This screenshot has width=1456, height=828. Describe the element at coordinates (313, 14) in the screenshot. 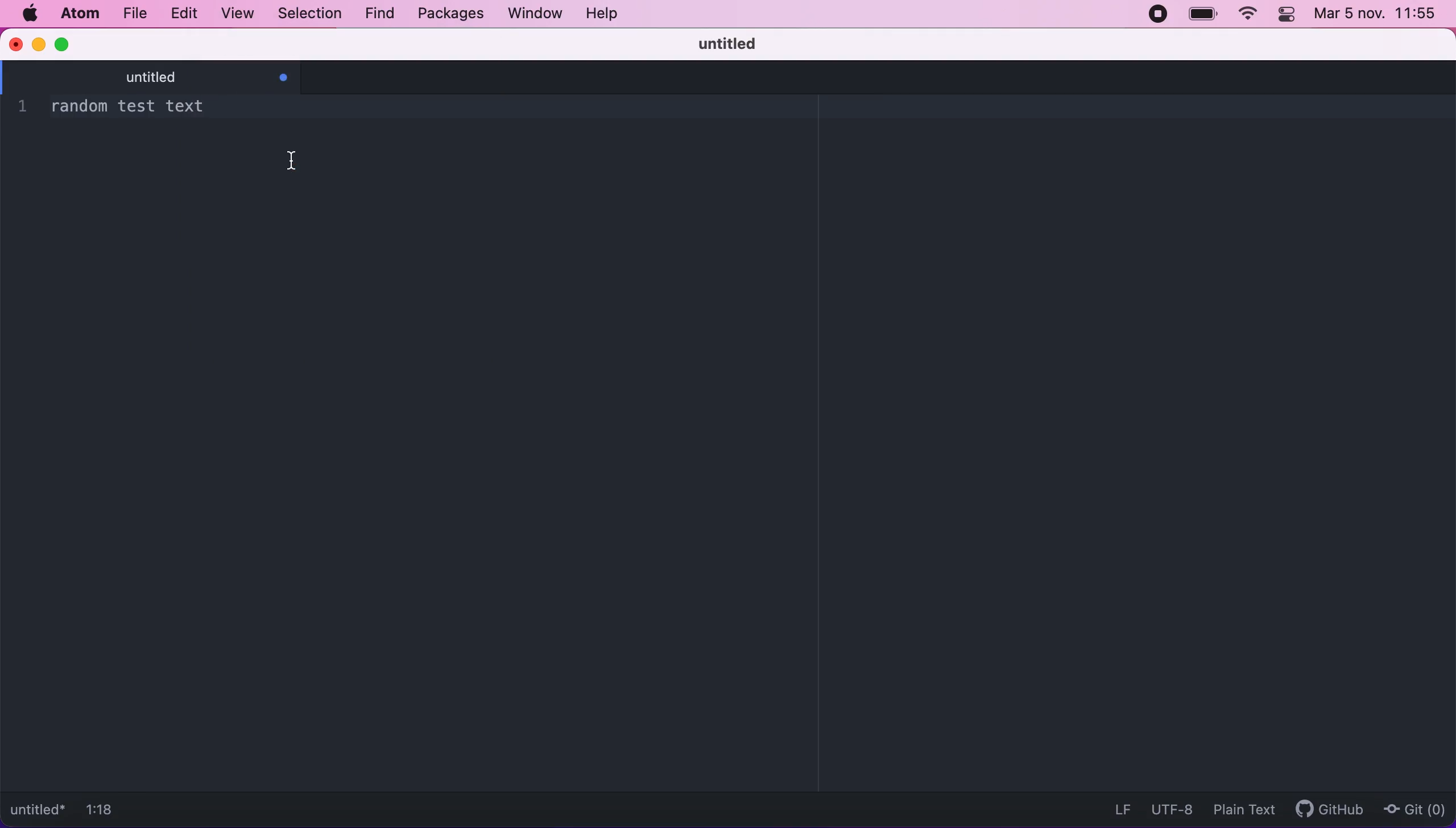

I see `selection` at that location.